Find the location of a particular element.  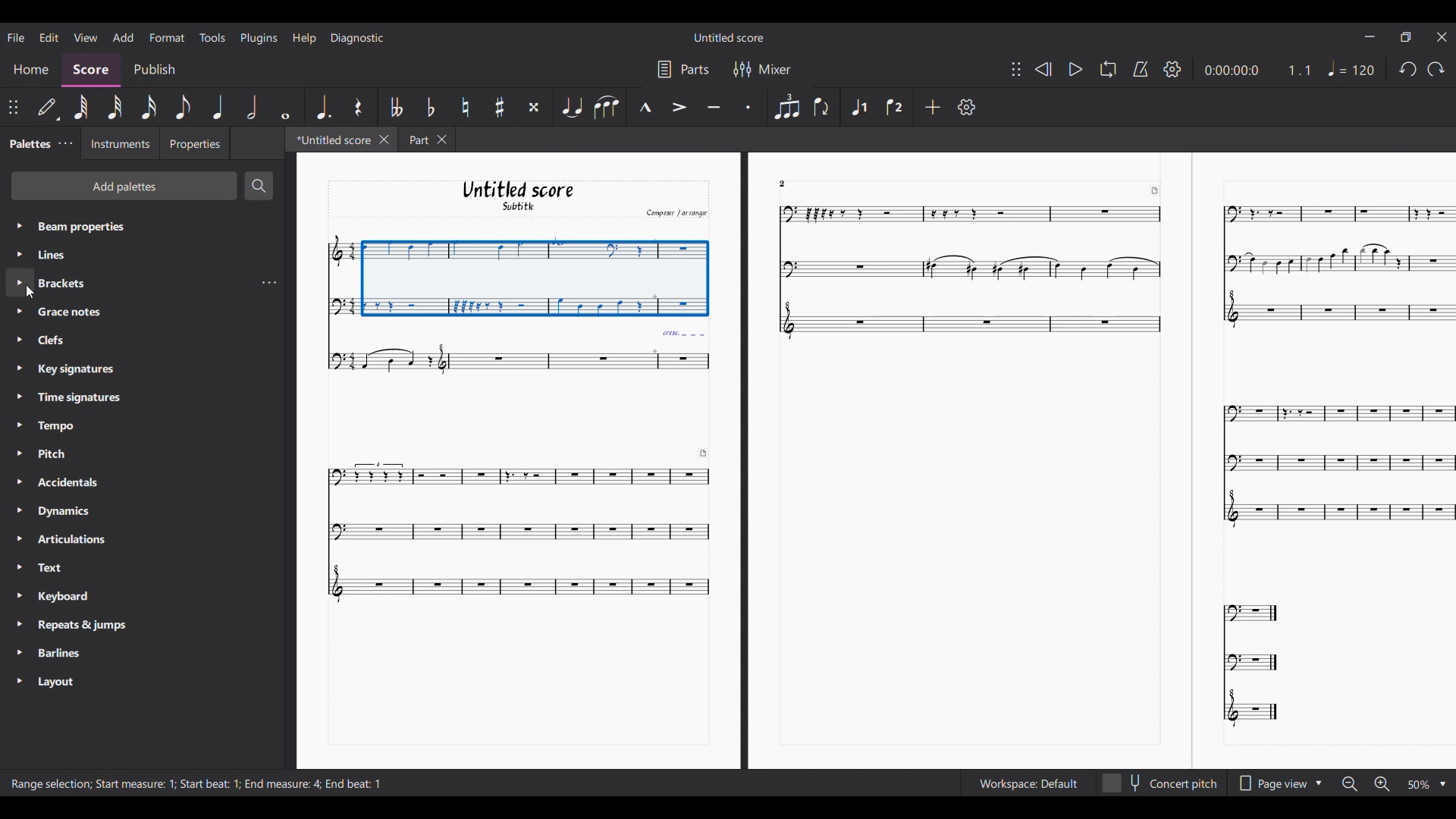

 is located at coordinates (969, 268).